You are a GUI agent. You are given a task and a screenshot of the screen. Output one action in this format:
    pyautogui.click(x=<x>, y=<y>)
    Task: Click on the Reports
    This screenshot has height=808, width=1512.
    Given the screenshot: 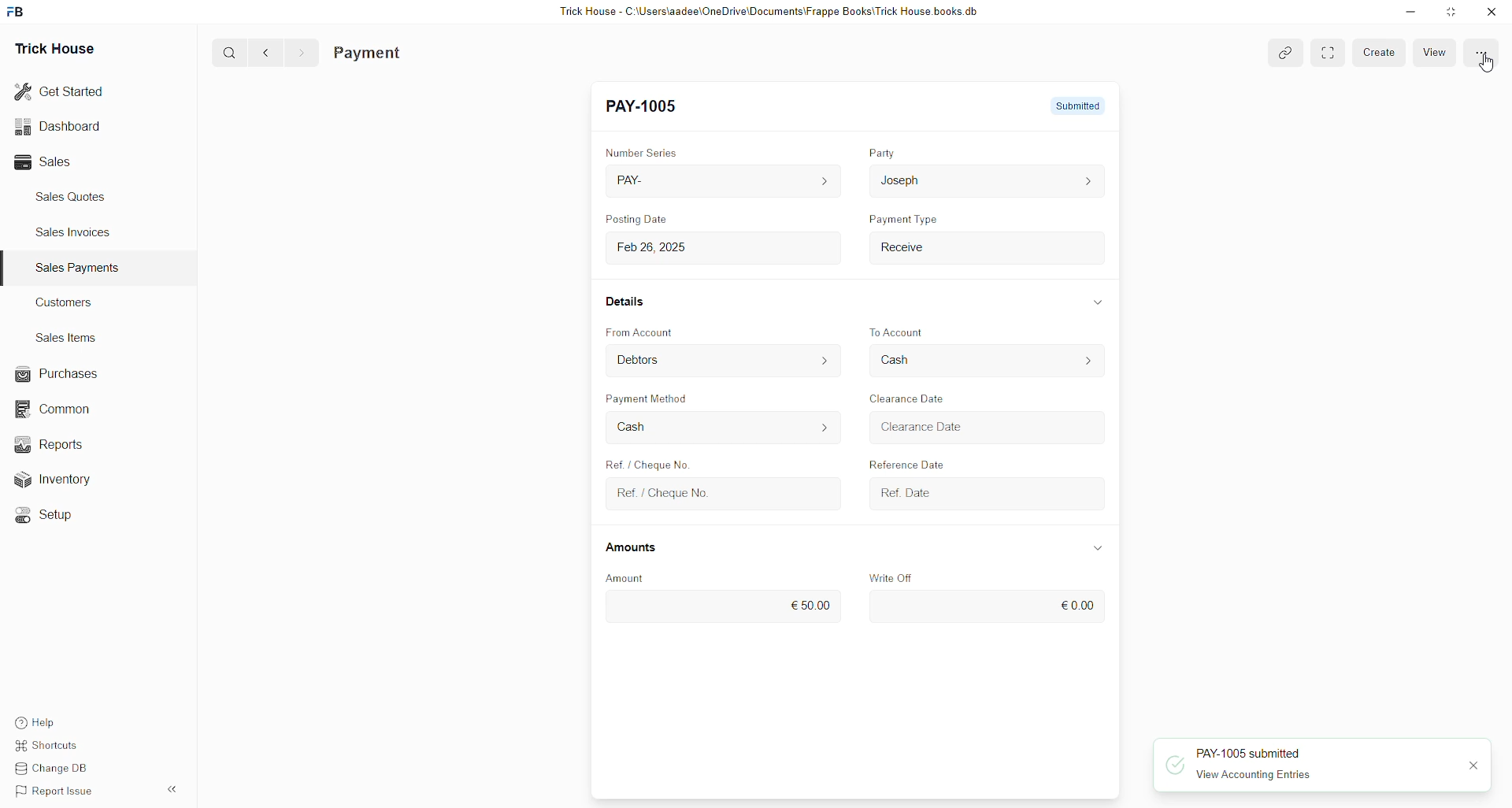 What is the action you would take?
    pyautogui.click(x=59, y=443)
    